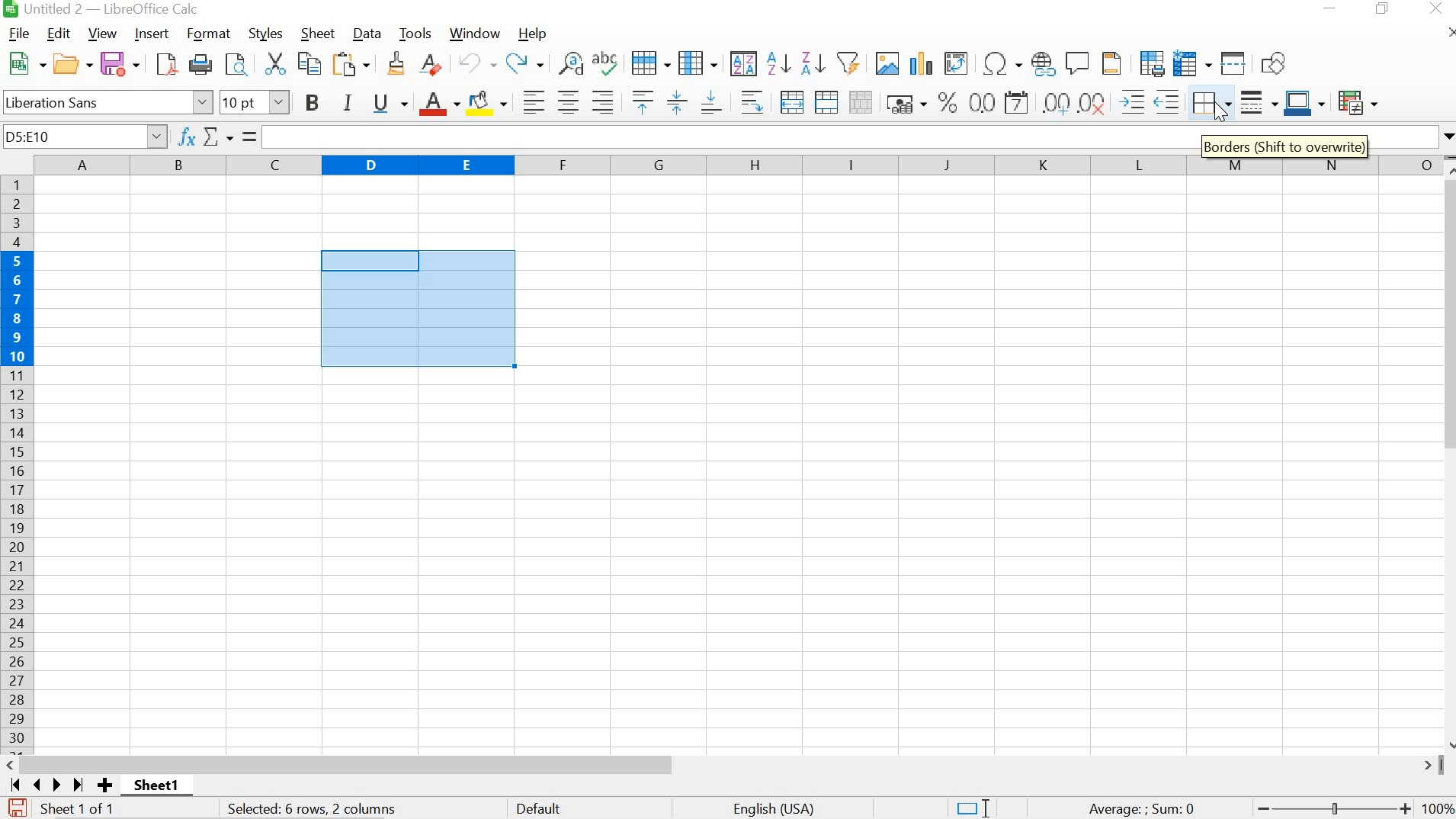 The image size is (1456, 819). I want to click on add sheeT, so click(104, 785).